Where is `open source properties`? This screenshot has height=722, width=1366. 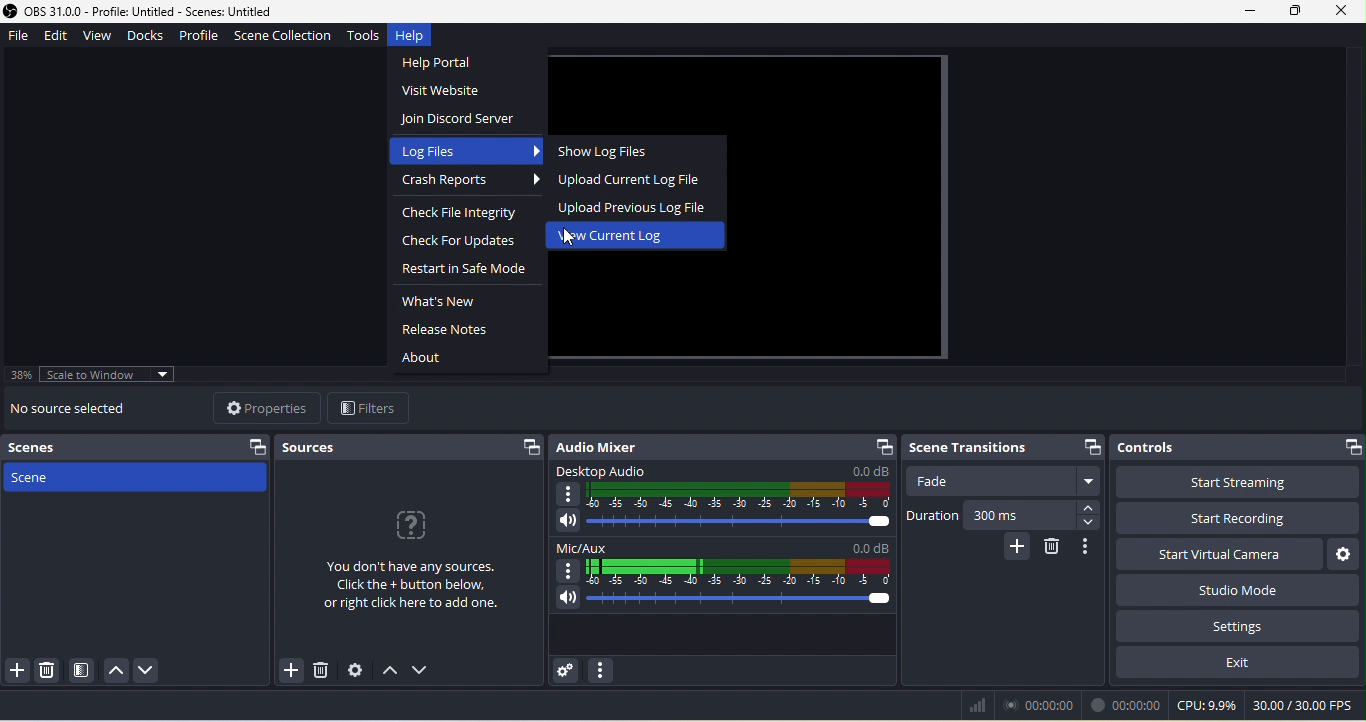
open source properties is located at coordinates (353, 671).